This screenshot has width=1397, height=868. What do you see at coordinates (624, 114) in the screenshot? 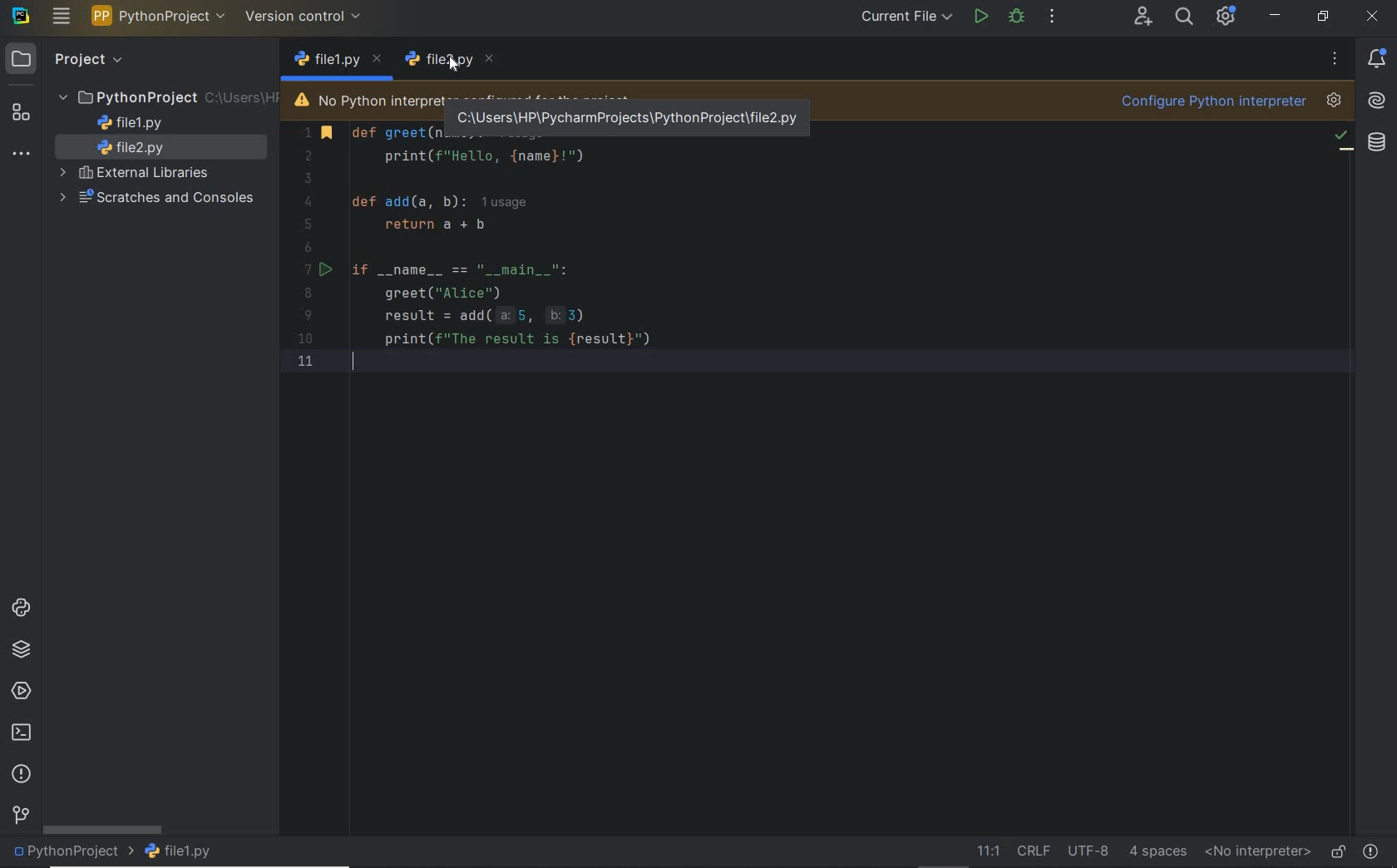
I see `file path` at bounding box center [624, 114].